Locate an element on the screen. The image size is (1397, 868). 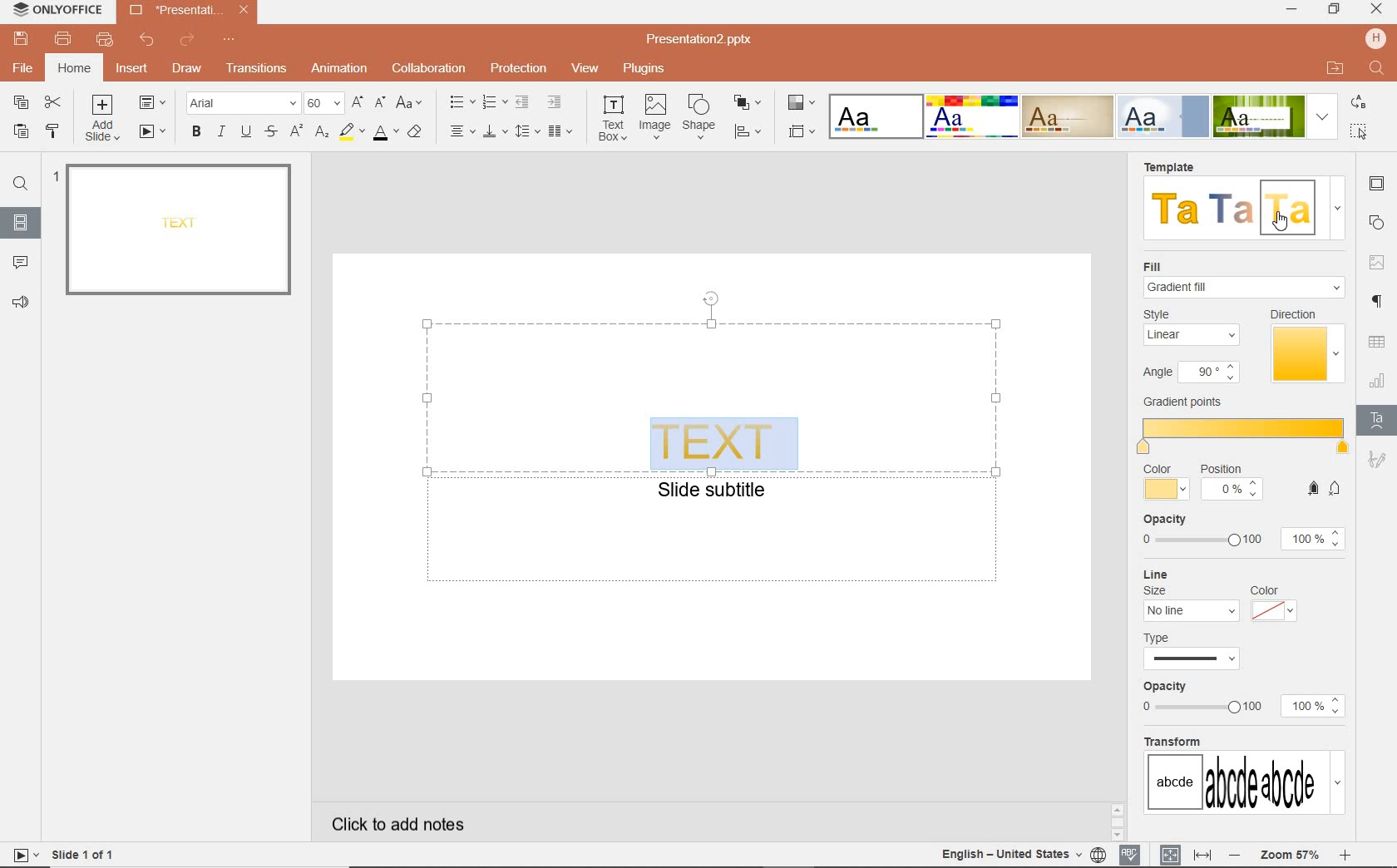
ARRANGE SHAPE is located at coordinates (748, 103).